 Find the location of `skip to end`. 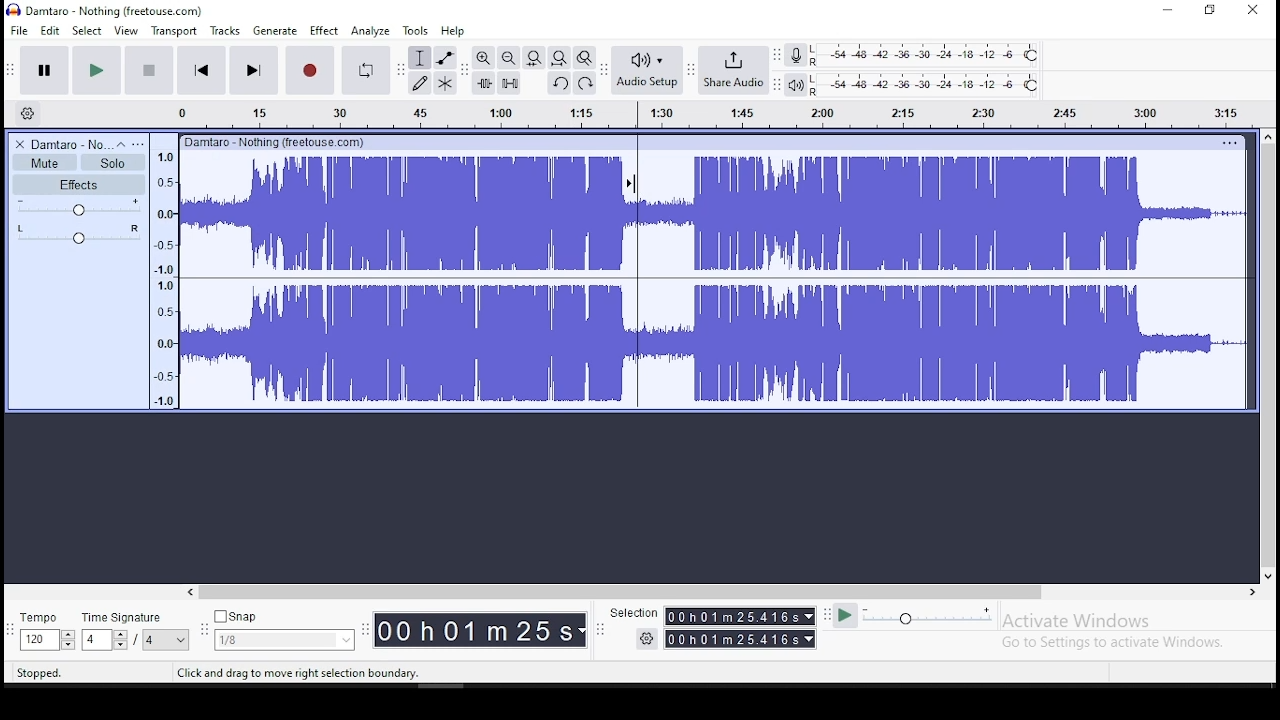

skip to end is located at coordinates (255, 70).